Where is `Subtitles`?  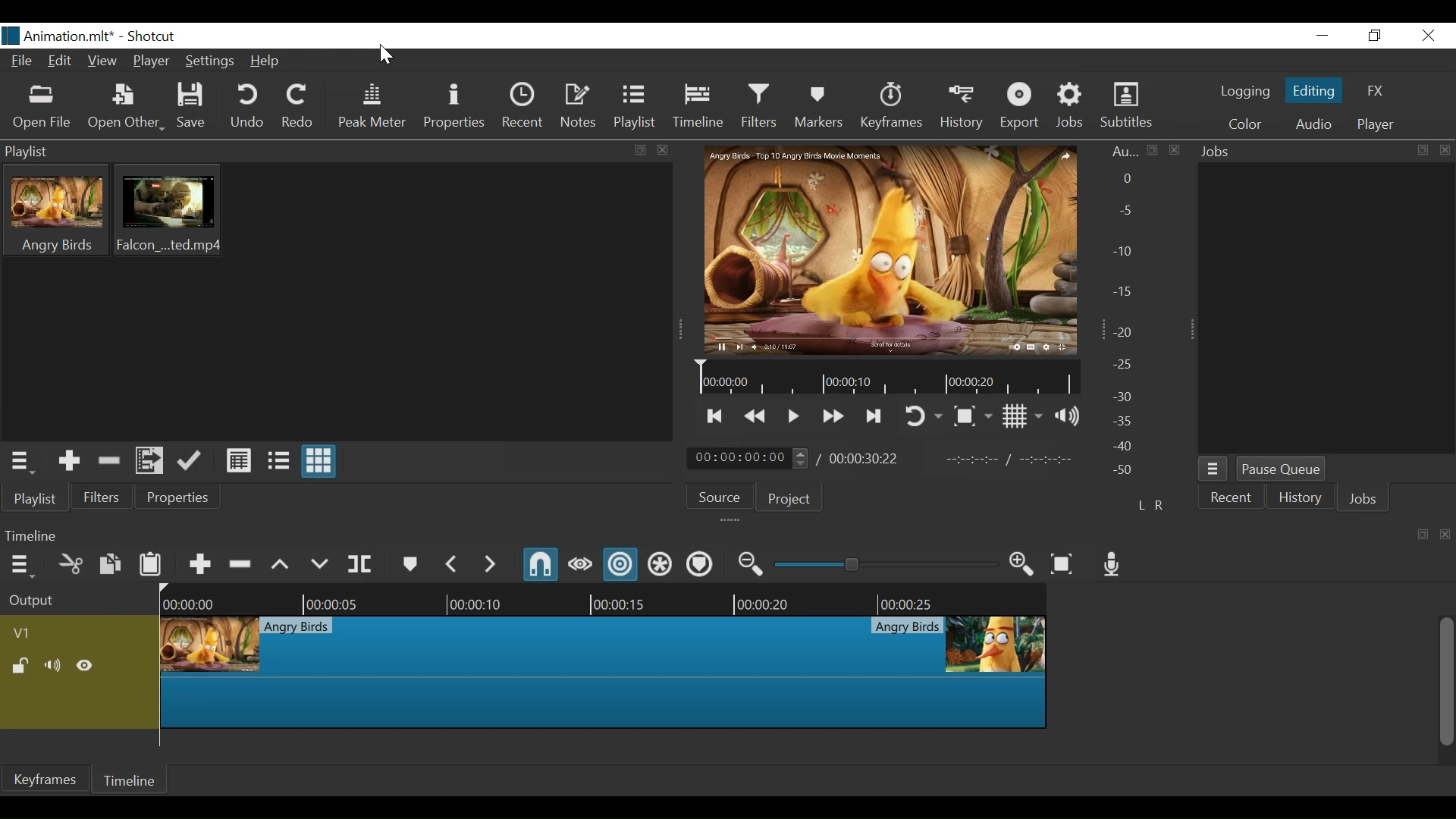
Subtitles is located at coordinates (1129, 105).